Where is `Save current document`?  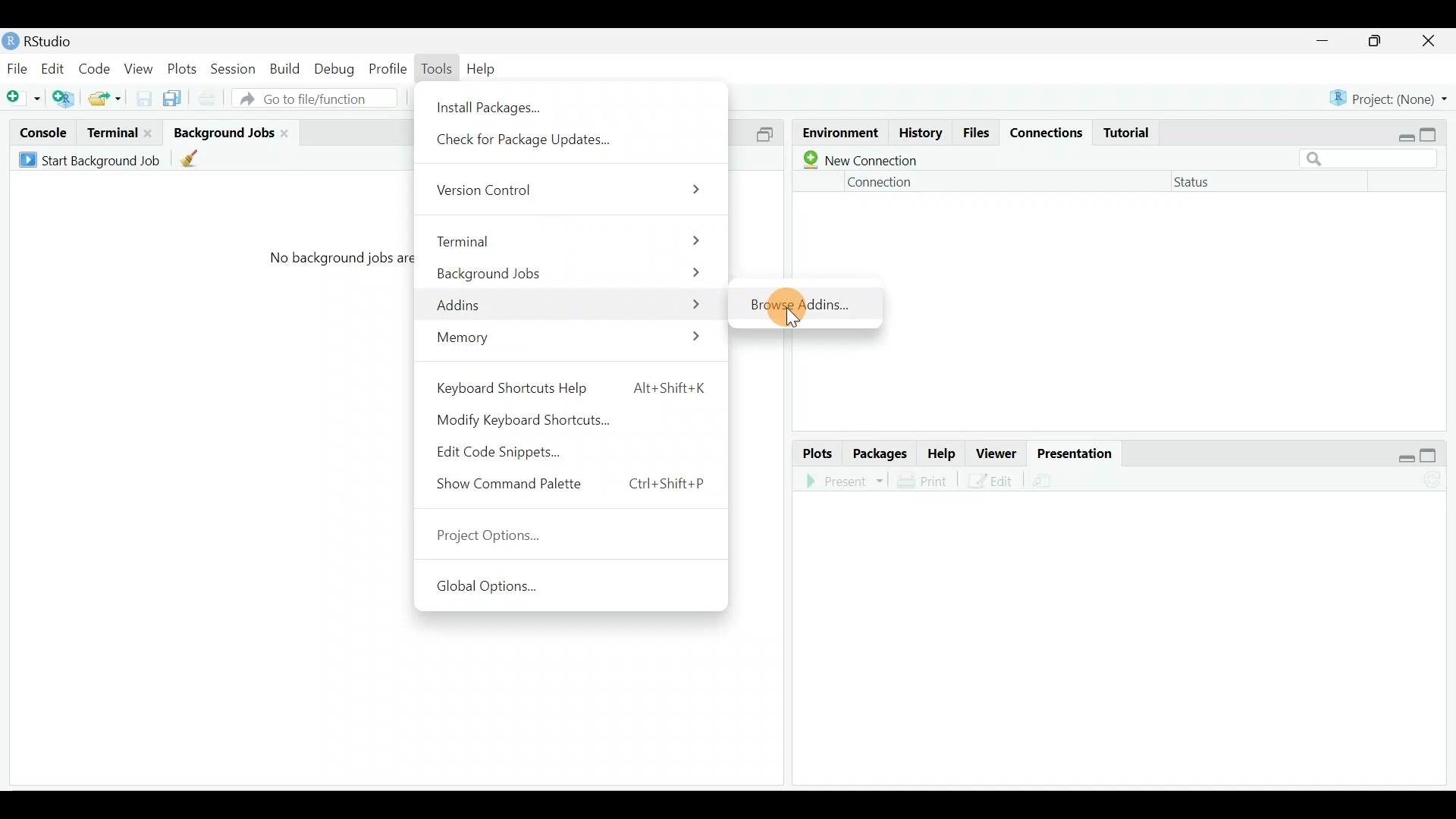 Save current document is located at coordinates (140, 100).